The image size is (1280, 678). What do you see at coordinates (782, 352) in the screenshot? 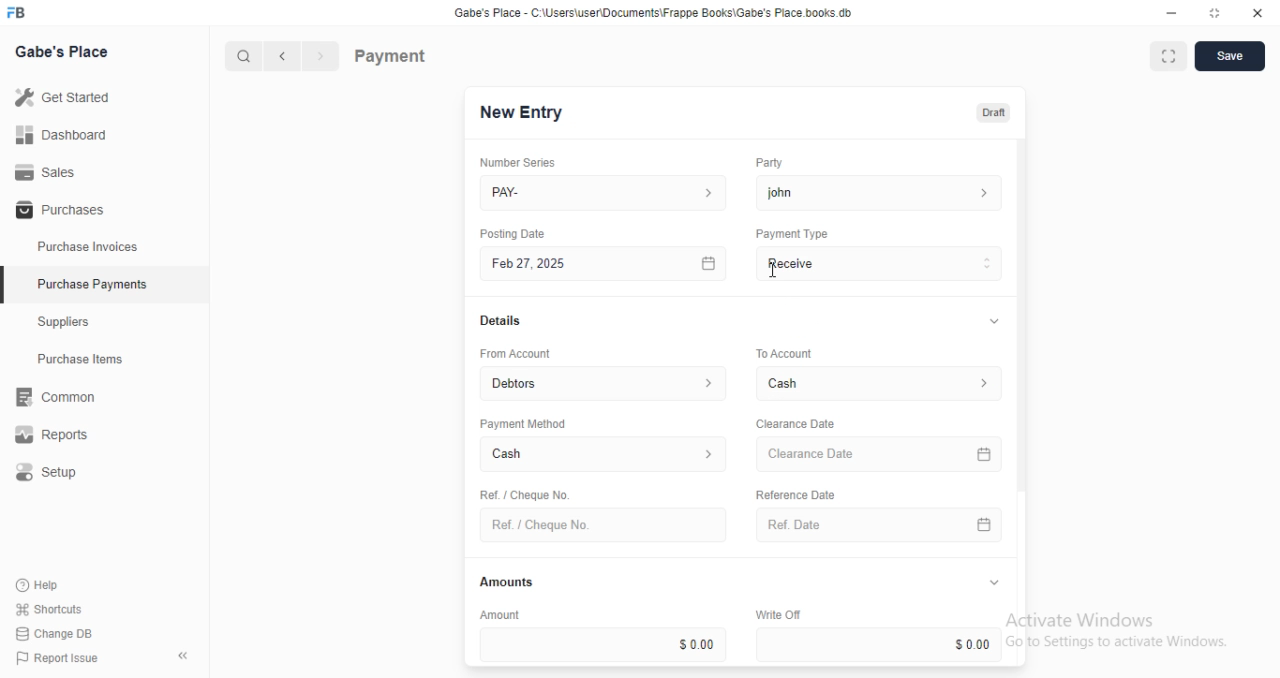
I see `To Account` at bounding box center [782, 352].